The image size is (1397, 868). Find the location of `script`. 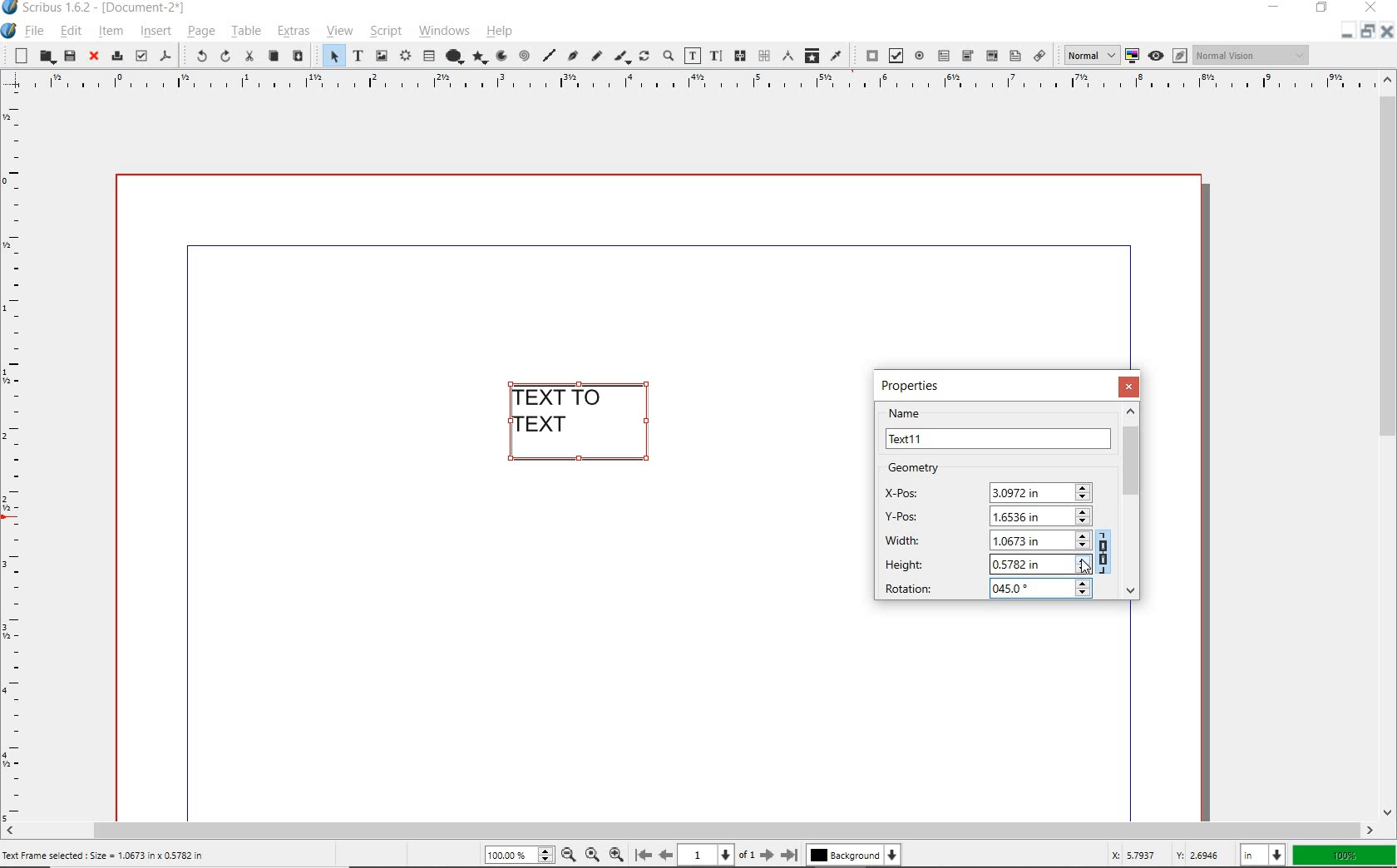

script is located at coordinates (386, 31).